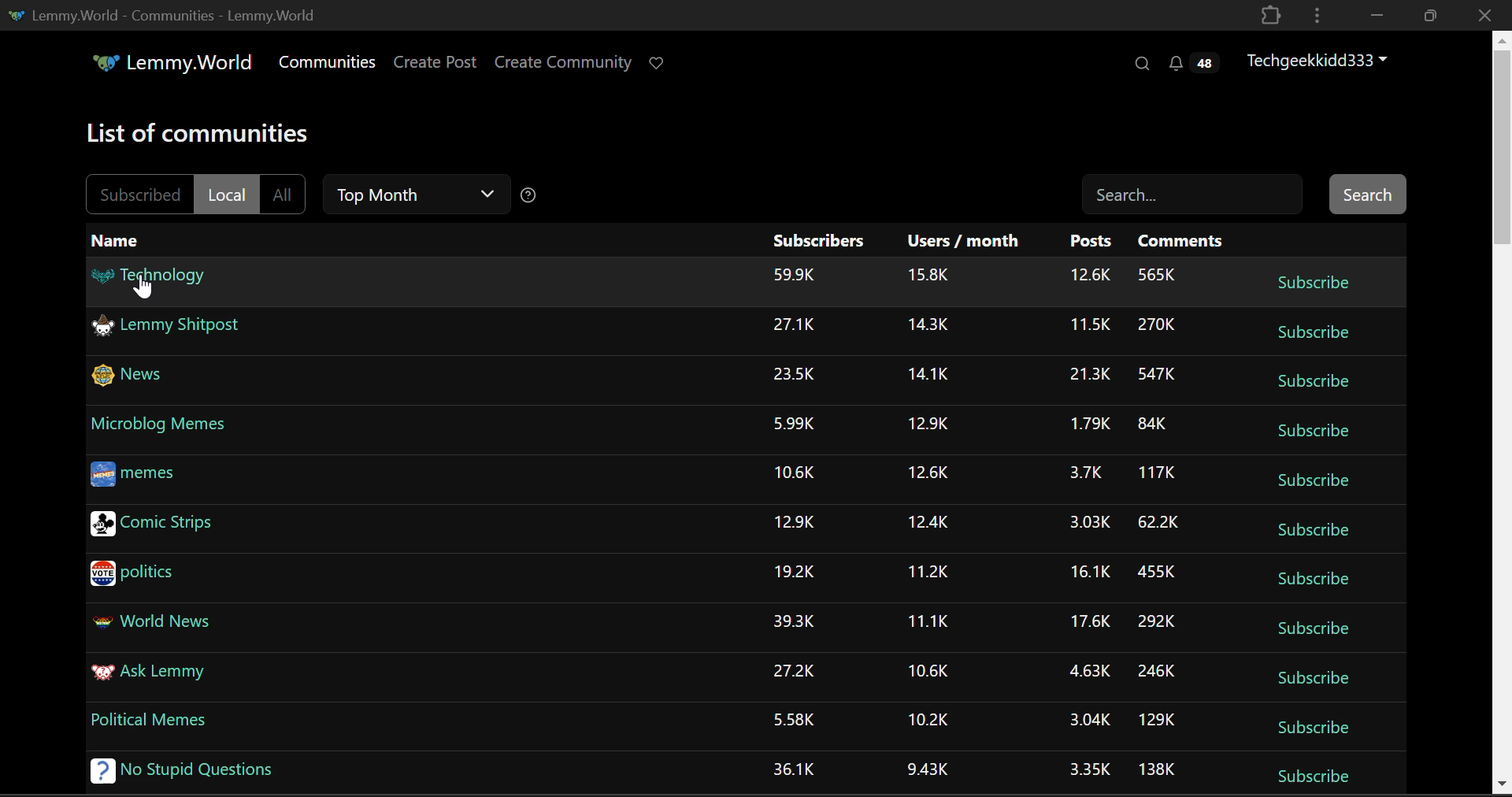  Describe the element at coordinates (793, 324) in the screenshot. I see `Amount` at that location.